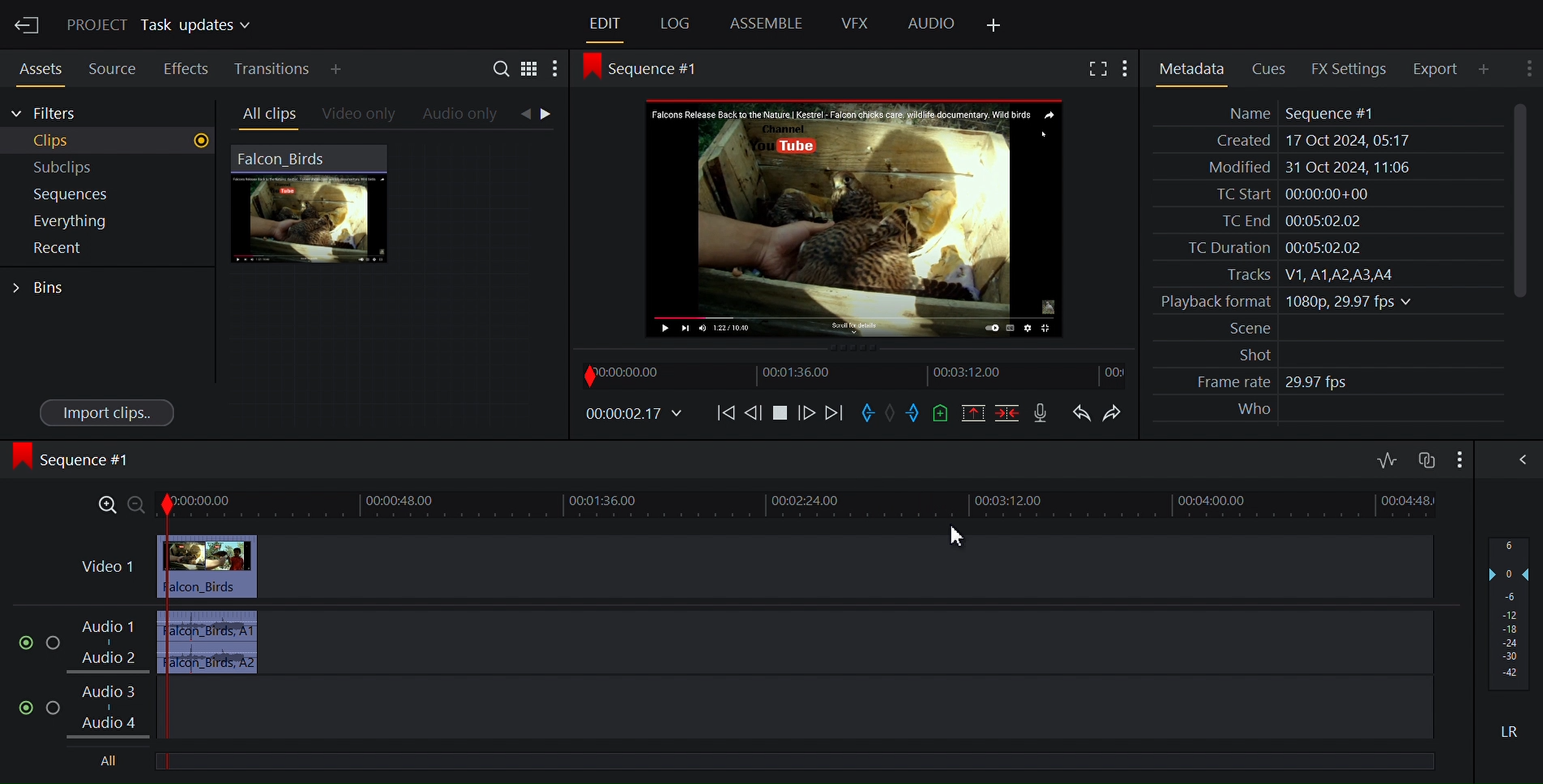 This screenshot has width=1543, height=784. I want to click on Edit, so click(602, 23).